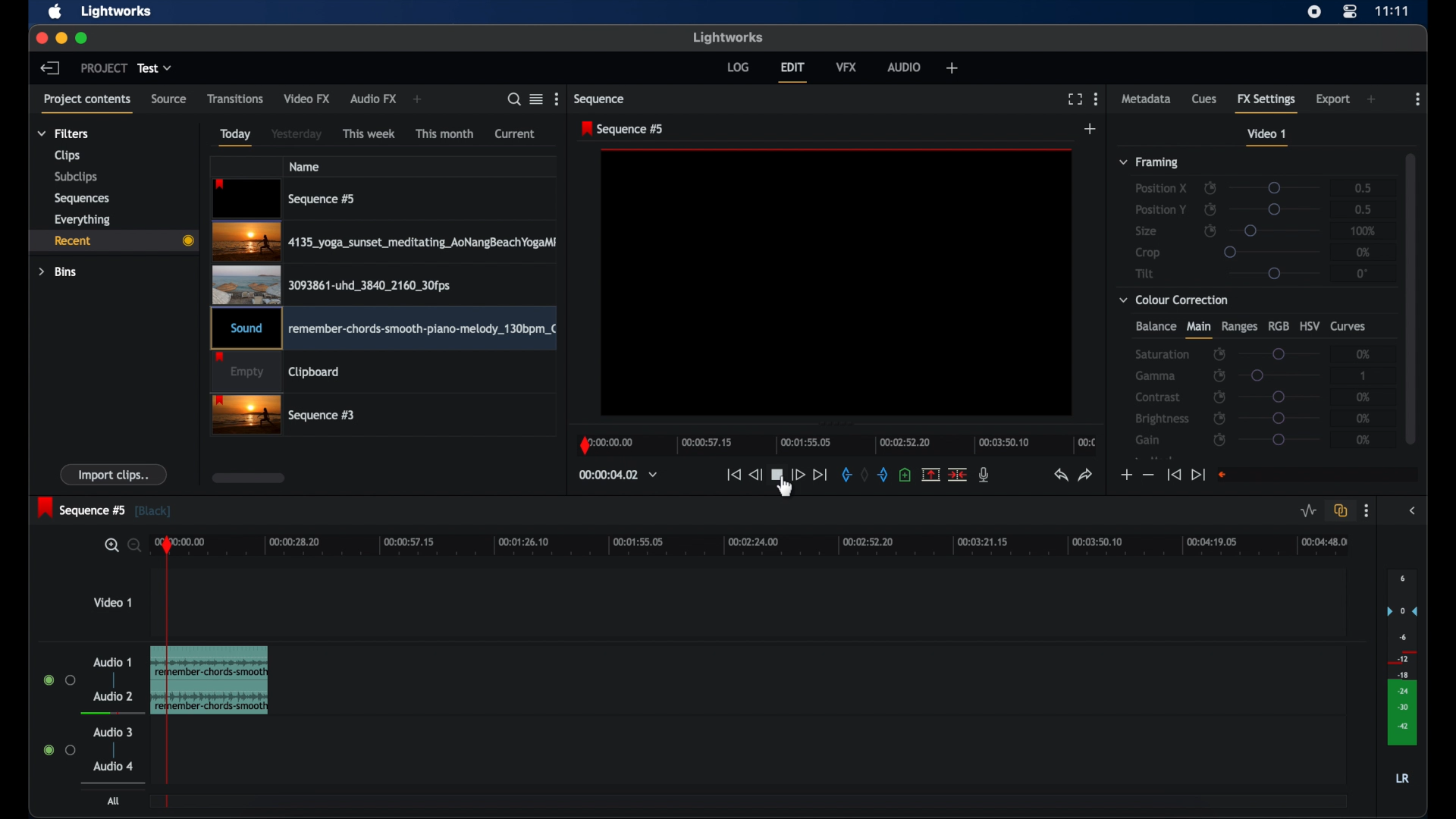  Describe the element at coordinates (113, 695) in the screenshot. I see `audio 2` at that location.